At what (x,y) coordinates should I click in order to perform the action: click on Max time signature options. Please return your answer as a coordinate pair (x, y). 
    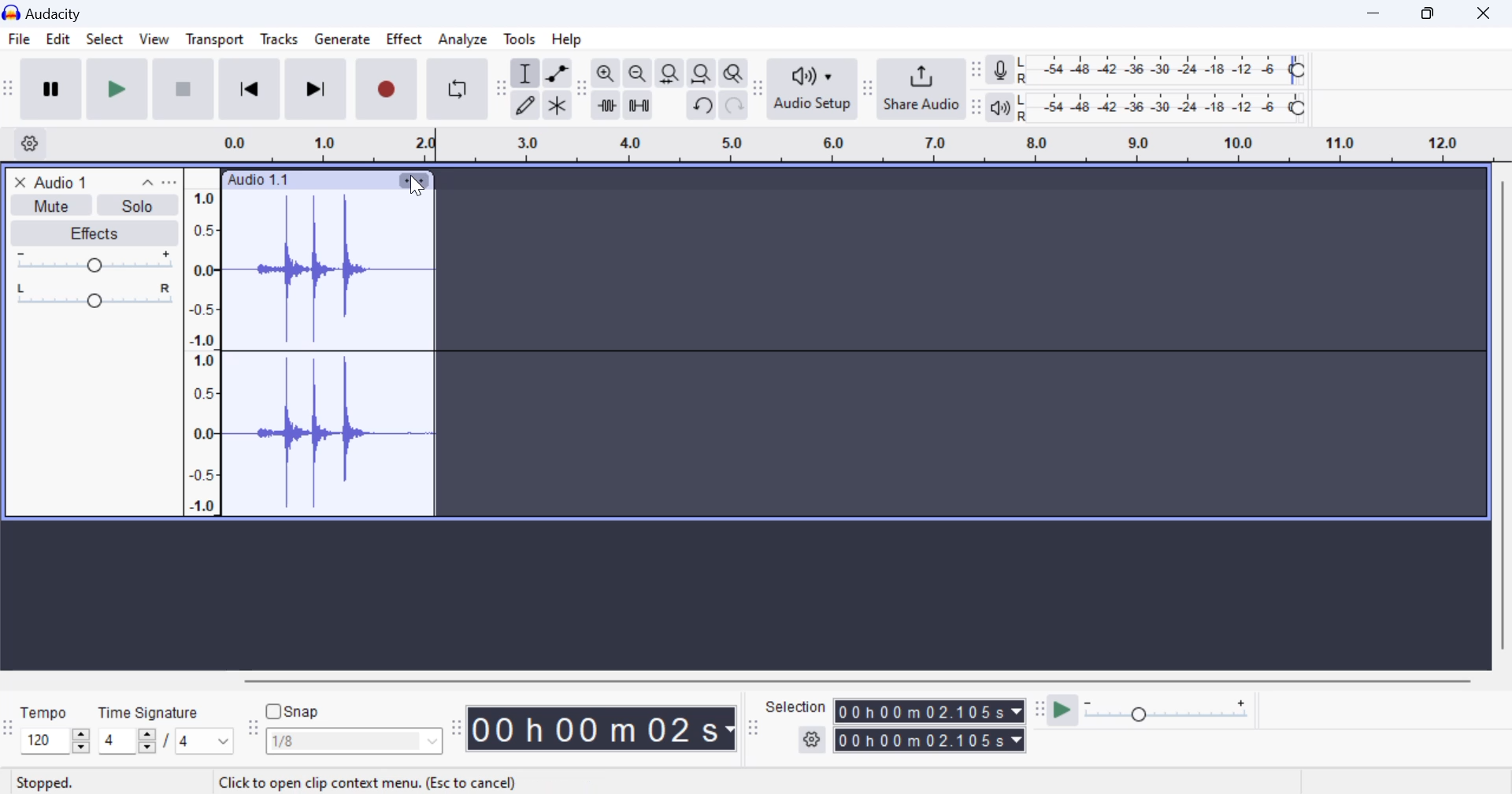
    Looking at the image, I should click on (205, 742).